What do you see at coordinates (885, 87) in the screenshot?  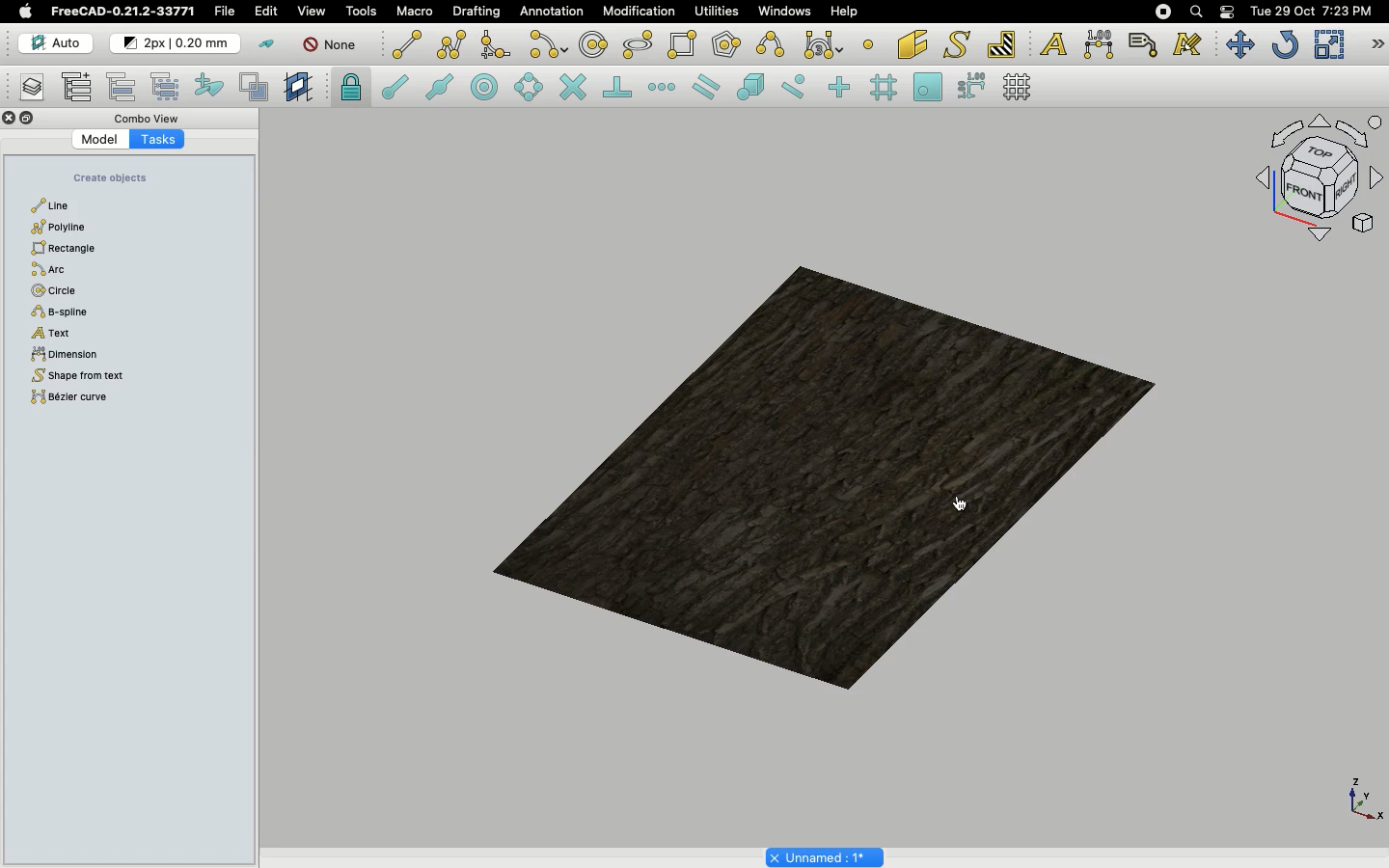 I see `Snap grid` at bounding box center [885, 87].